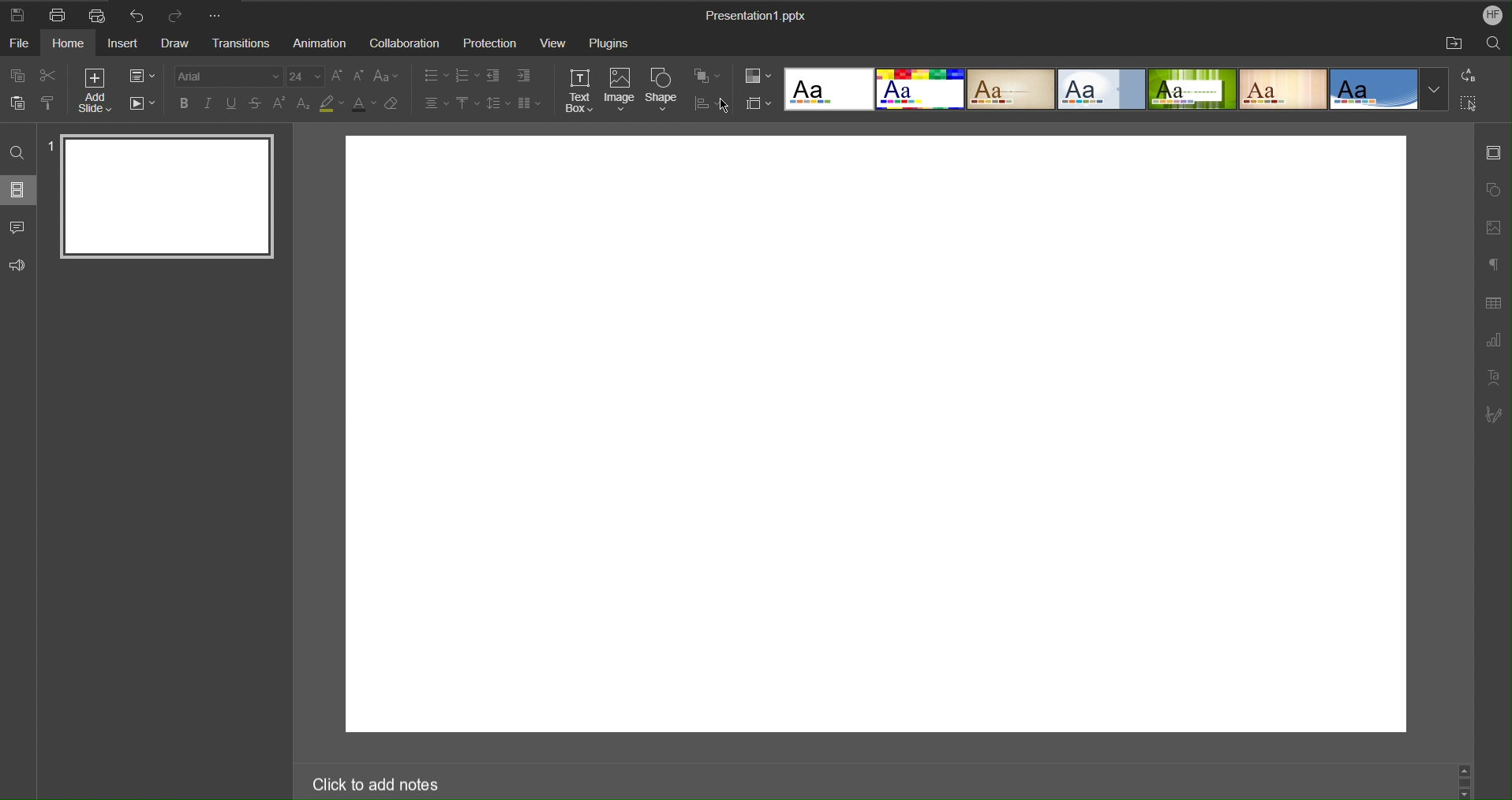 The image size is (1512, 800). Describe the element at coordinates (1466, 76) in the screenshot. I see `Replace` at that location.